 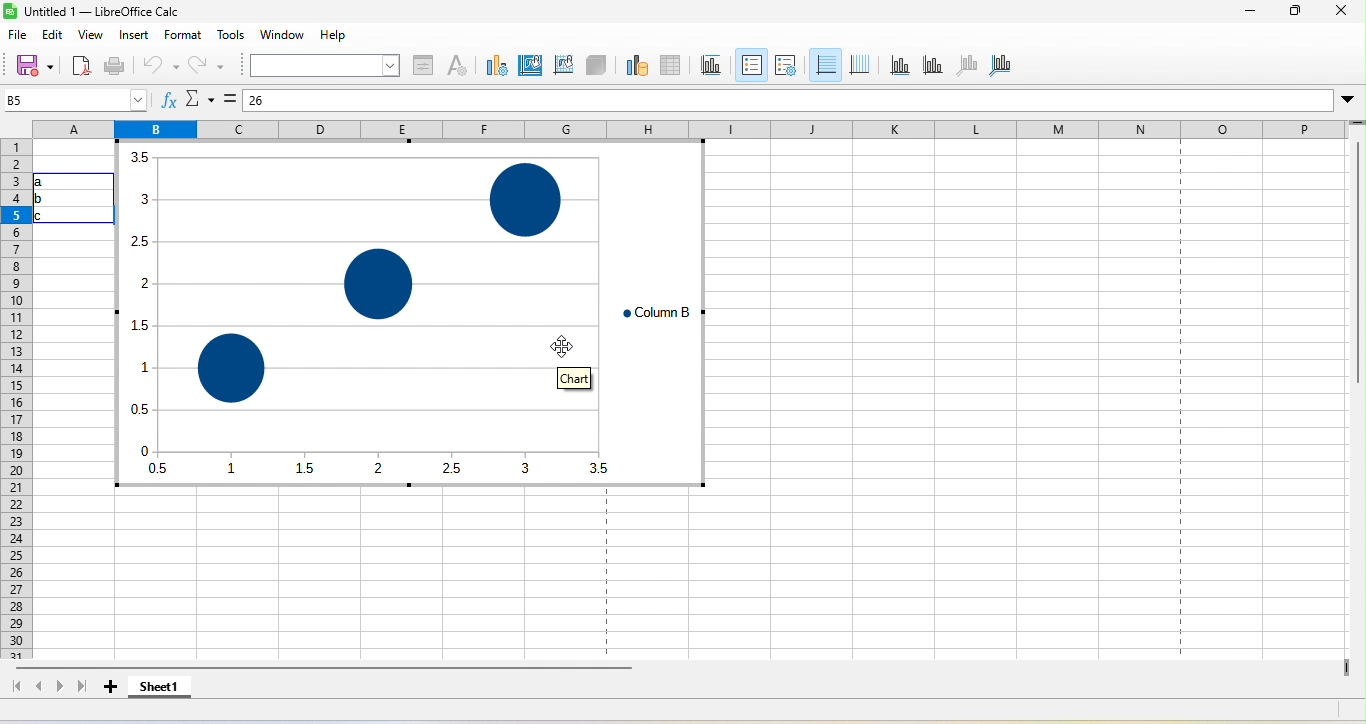 I want to click on data range, so click(x=635, y=65).